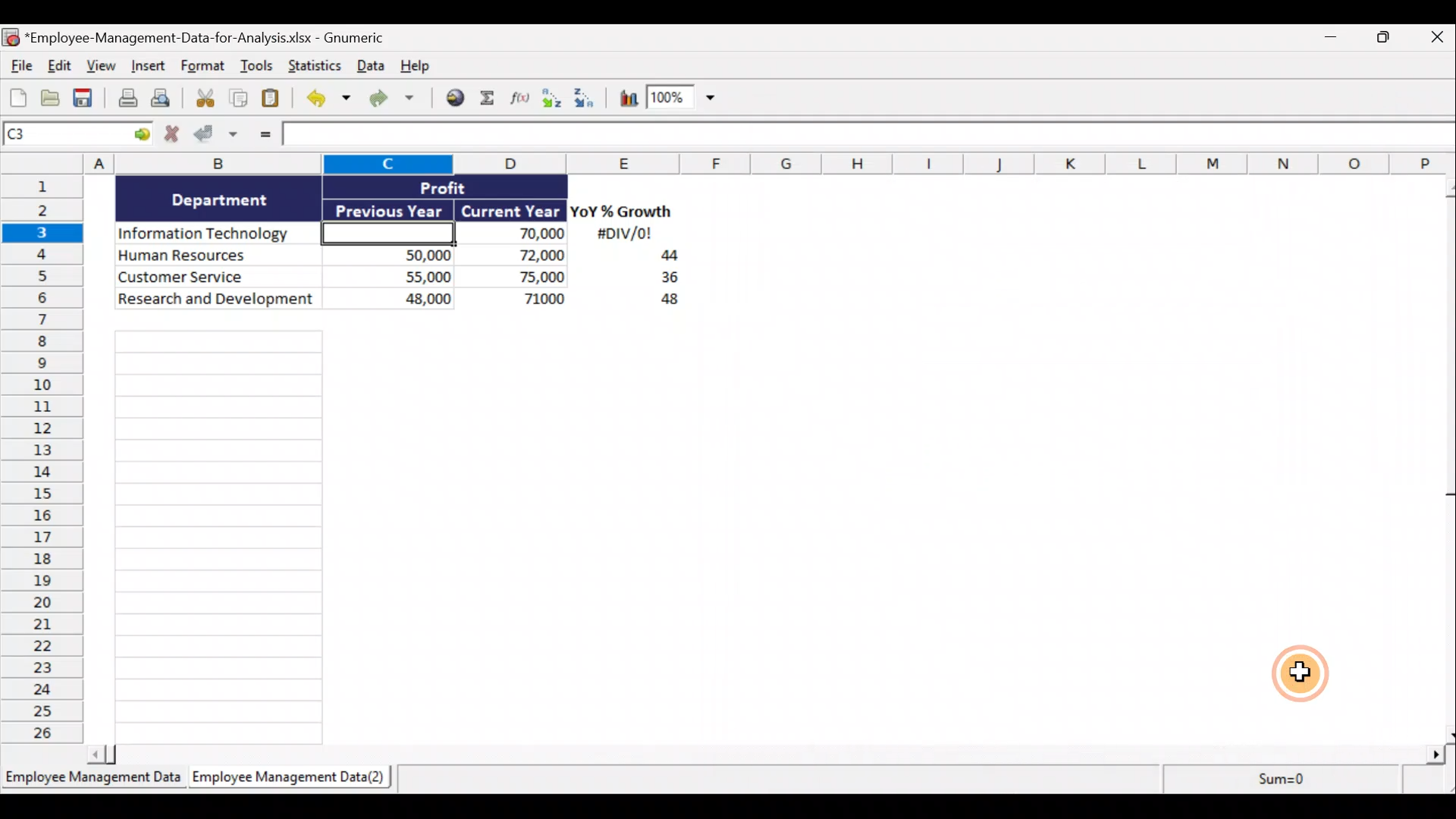 The width and height of the screenshot is (1456, 819). What do you see at coordinates (172, 136) in the screenshot?
I see `Cancel changes` at bounding box center [172, 136].